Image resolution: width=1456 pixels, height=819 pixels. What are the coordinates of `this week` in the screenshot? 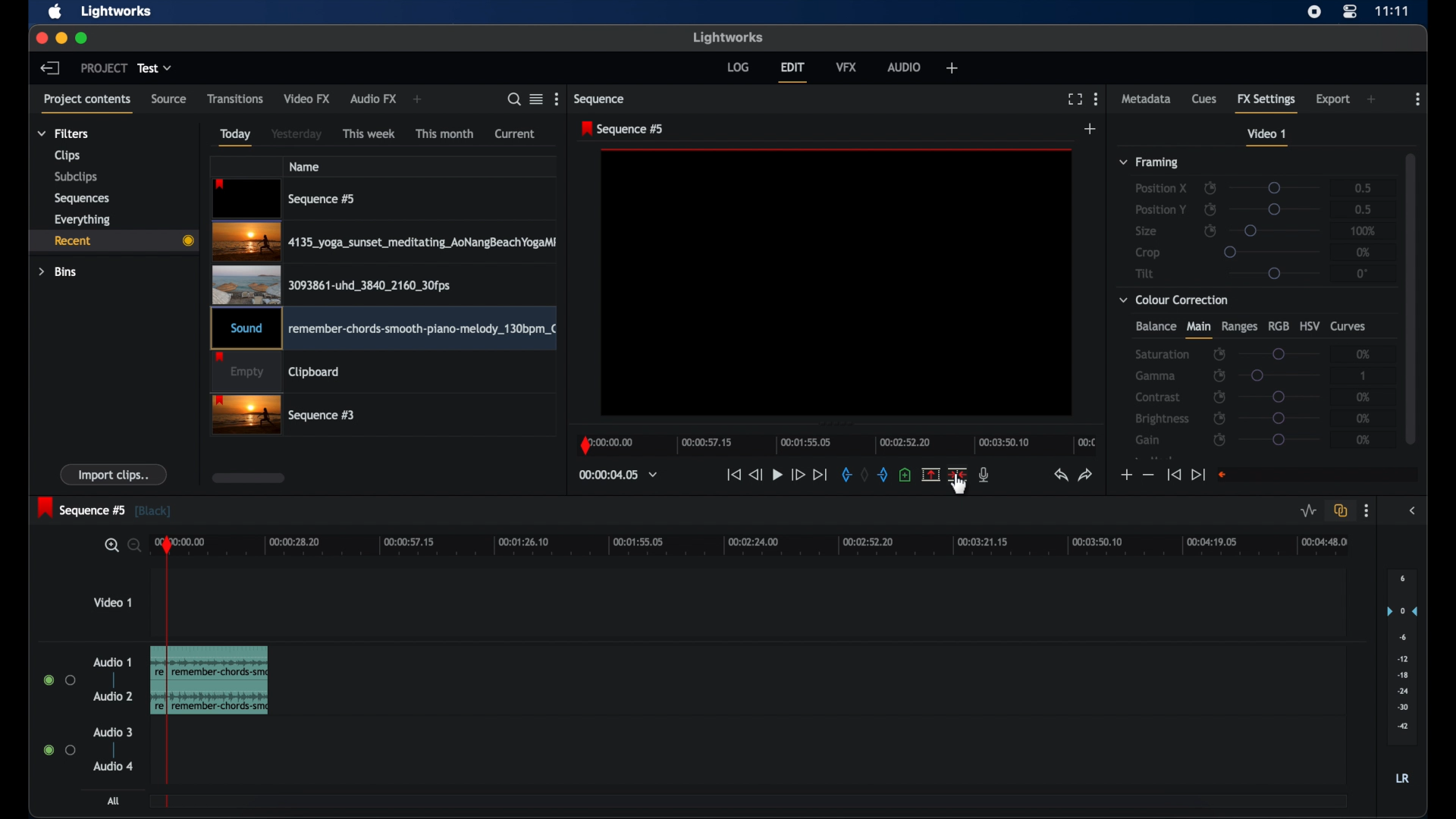 It's located at (369, 134).